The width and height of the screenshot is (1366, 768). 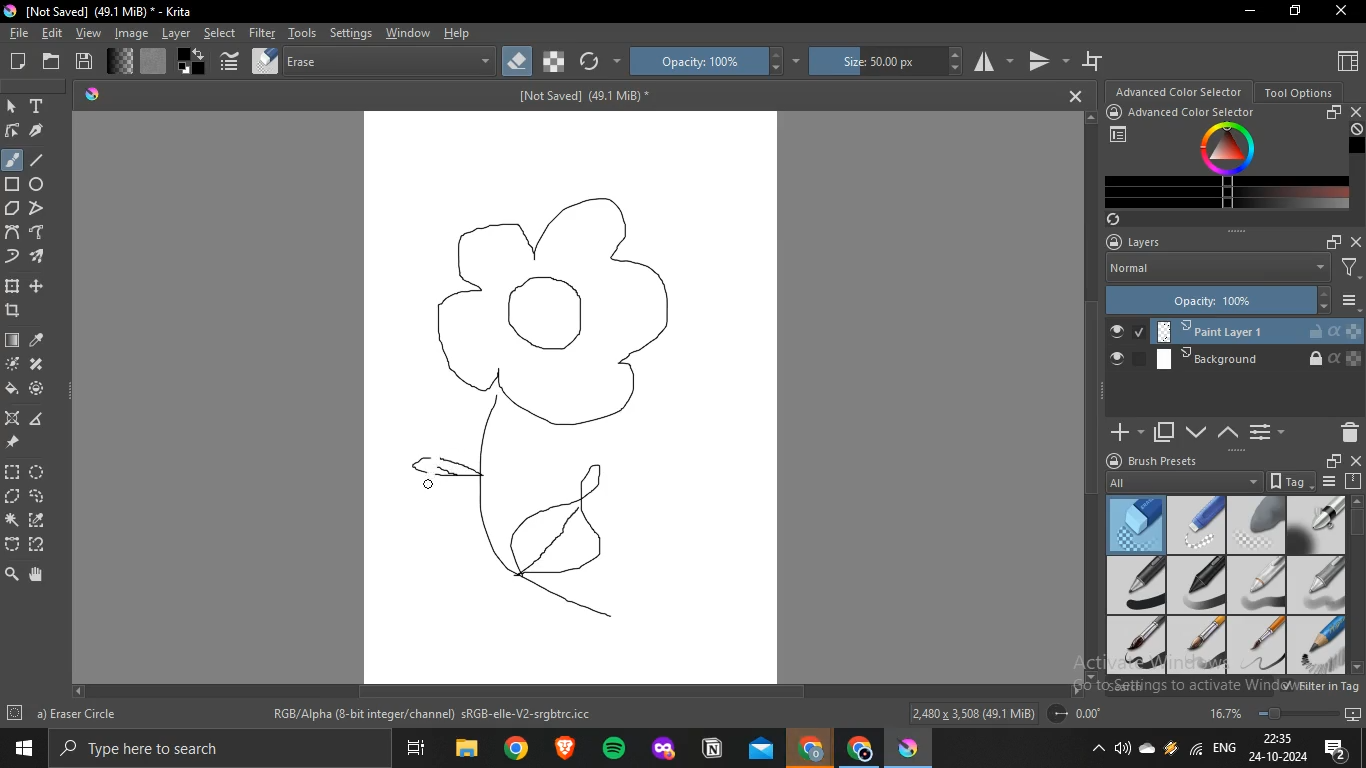 I want to click on sample color from layer or image, so click(x=38, y=341).